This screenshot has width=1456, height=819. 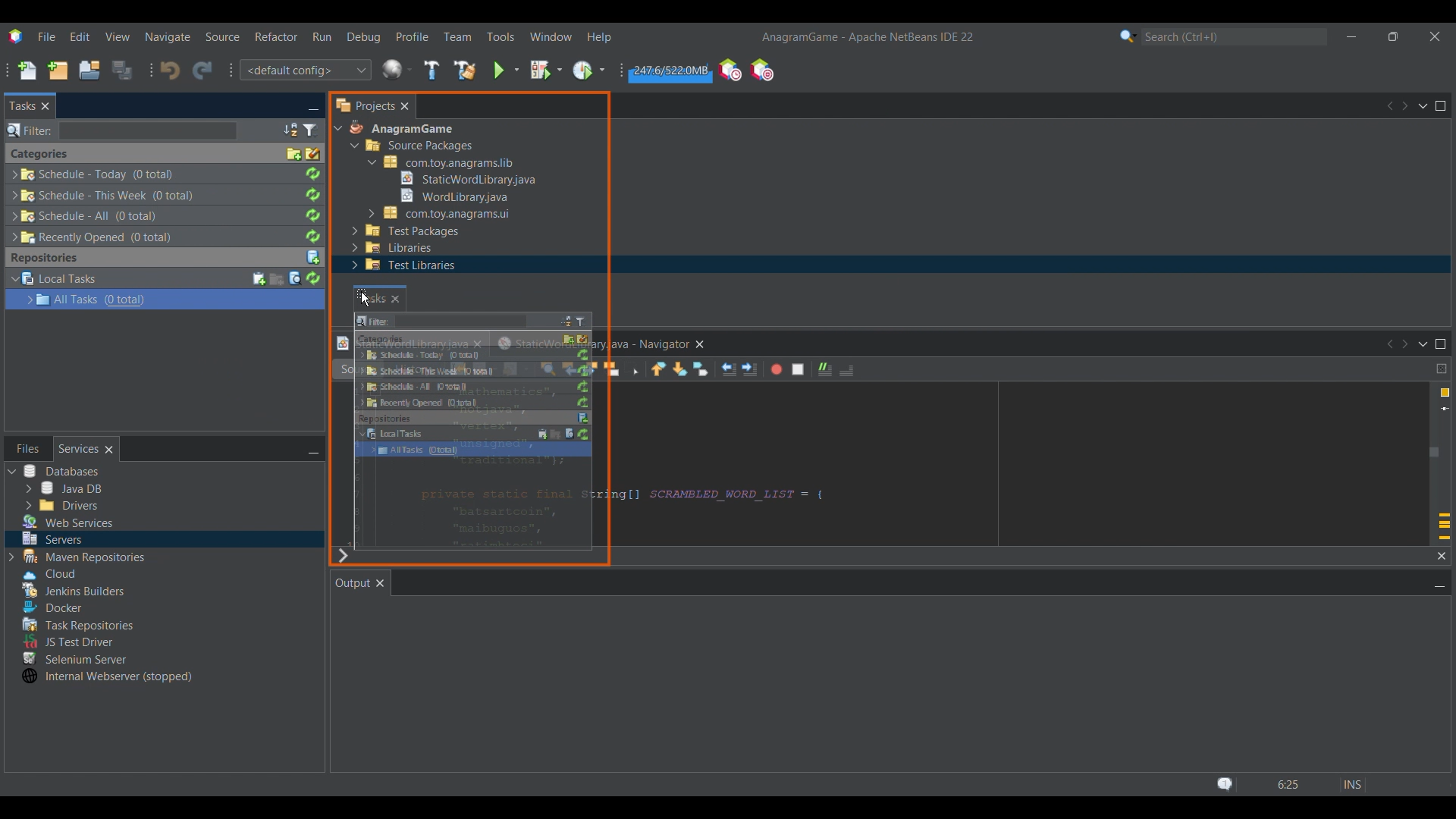 What do you see at coordinates (412, 36) in the screenshot?
I see `Profile menu` at bounding box center [412, 36].